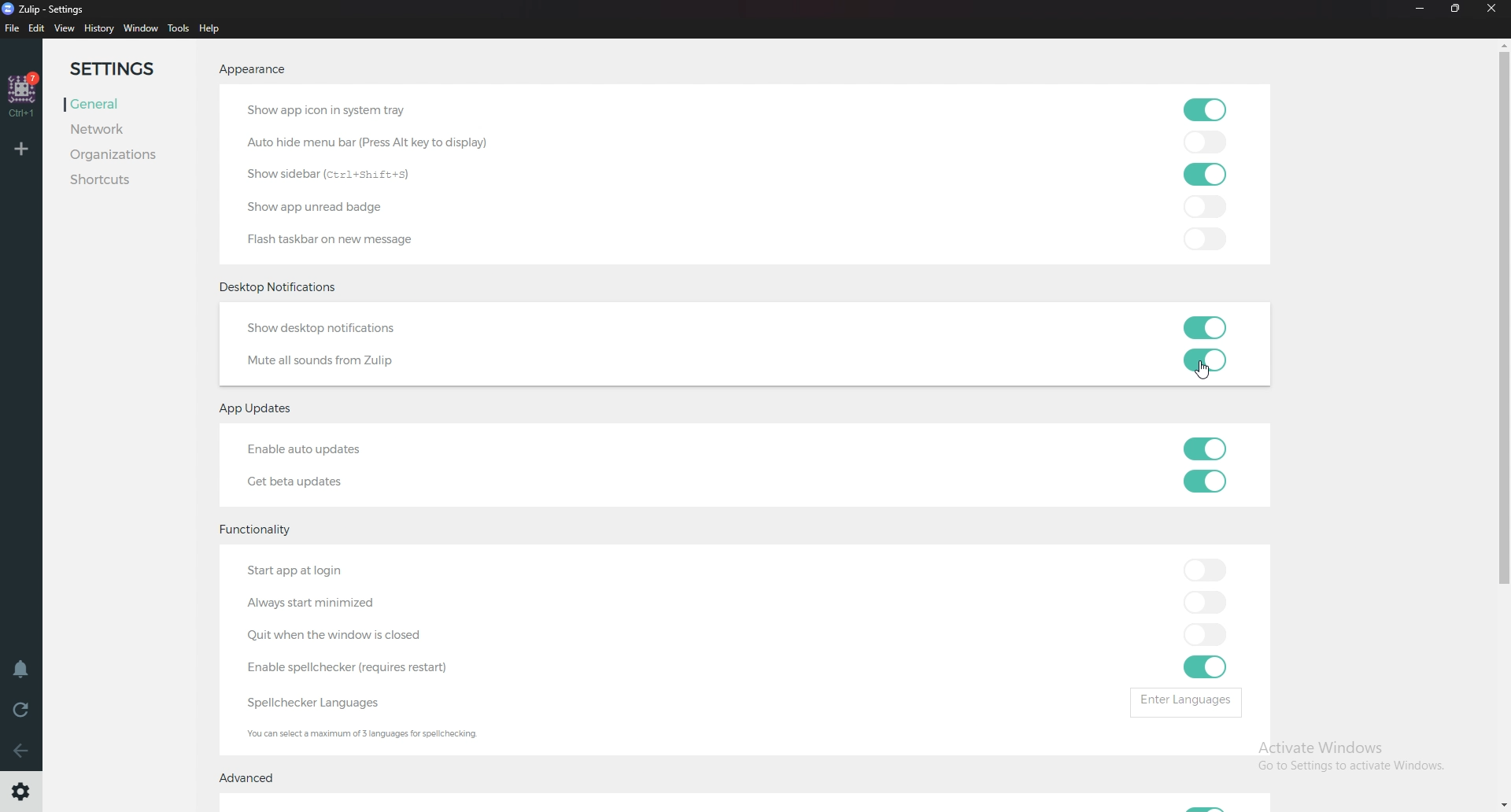  I want to click on title, so click(48, 10).